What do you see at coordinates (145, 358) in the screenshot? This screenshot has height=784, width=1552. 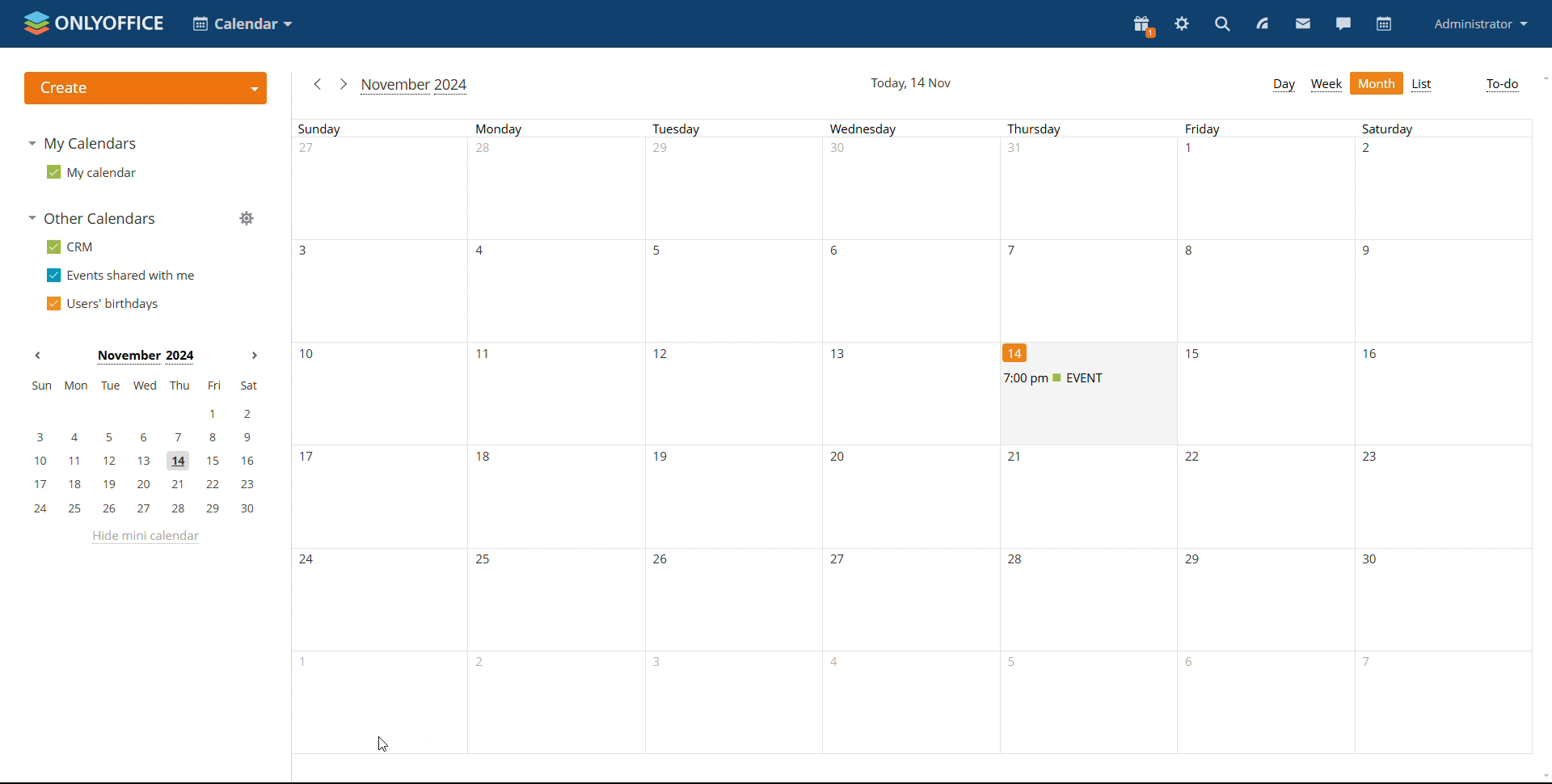 I see `current month` at bounding box center [145, 358].